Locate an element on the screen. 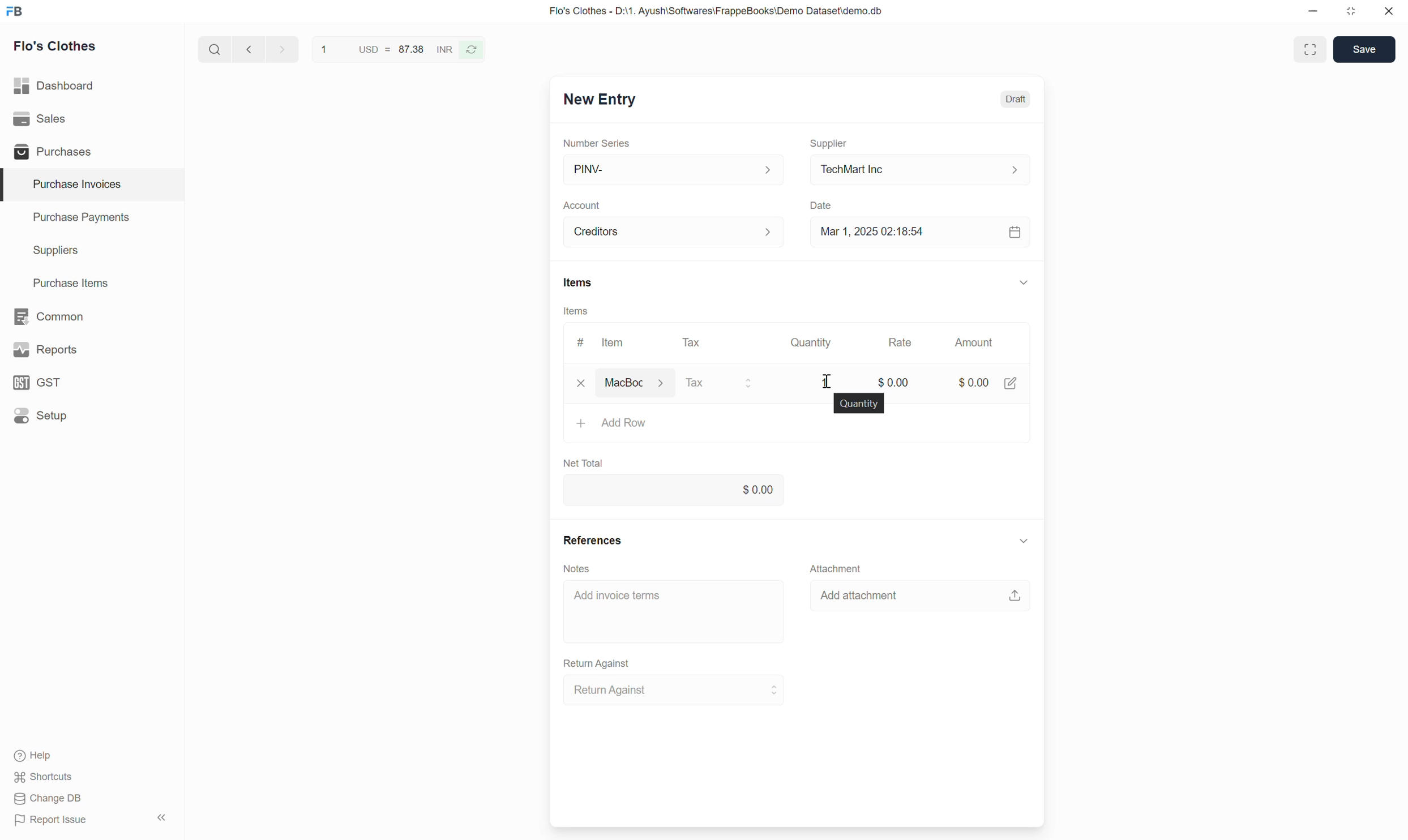 Image resolution: width=1408 pixels, height=840 pixels. Close is located at coordinates (1389, 11).